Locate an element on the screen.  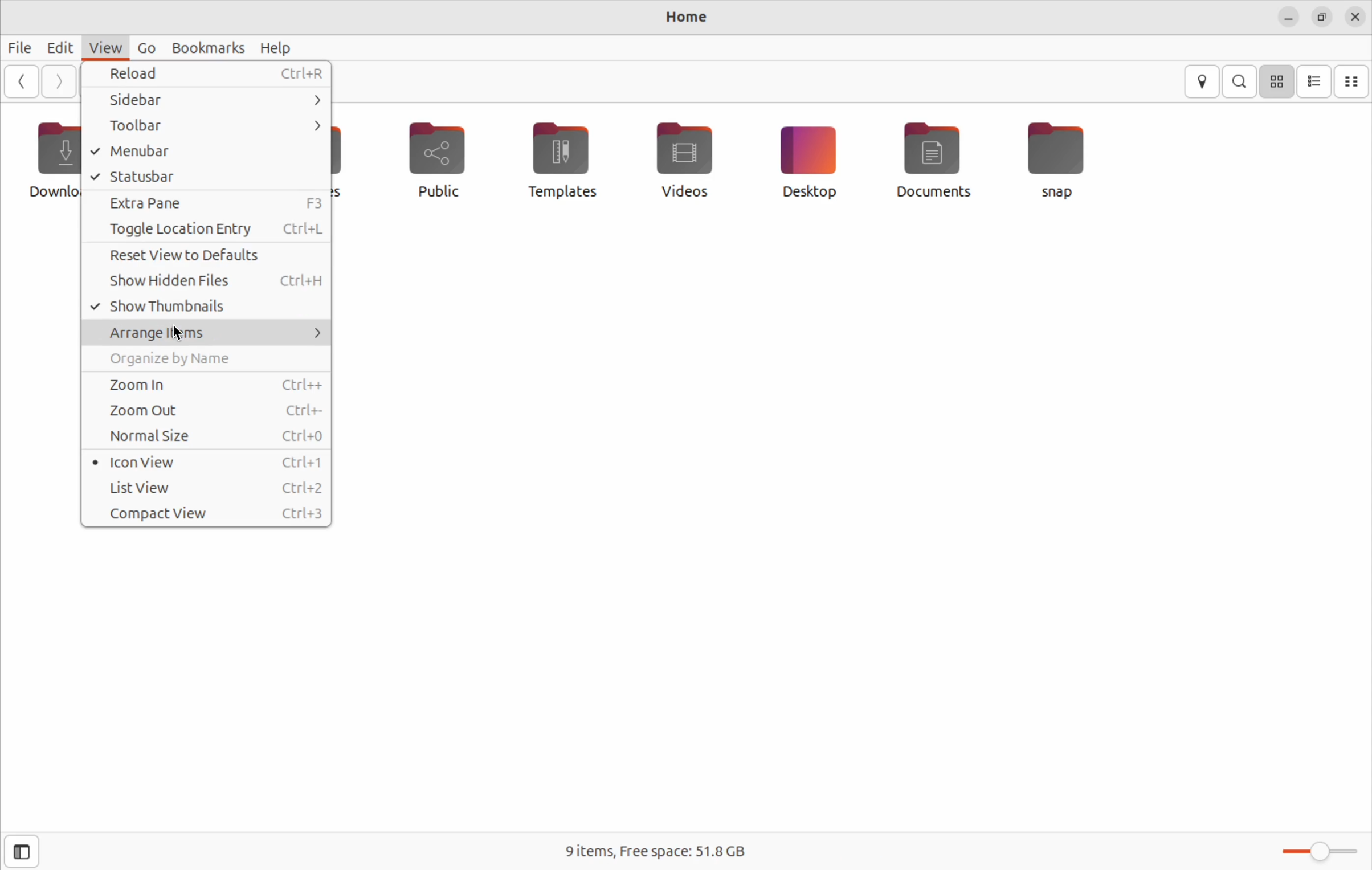
Go back is located at coordinates (20, 81).